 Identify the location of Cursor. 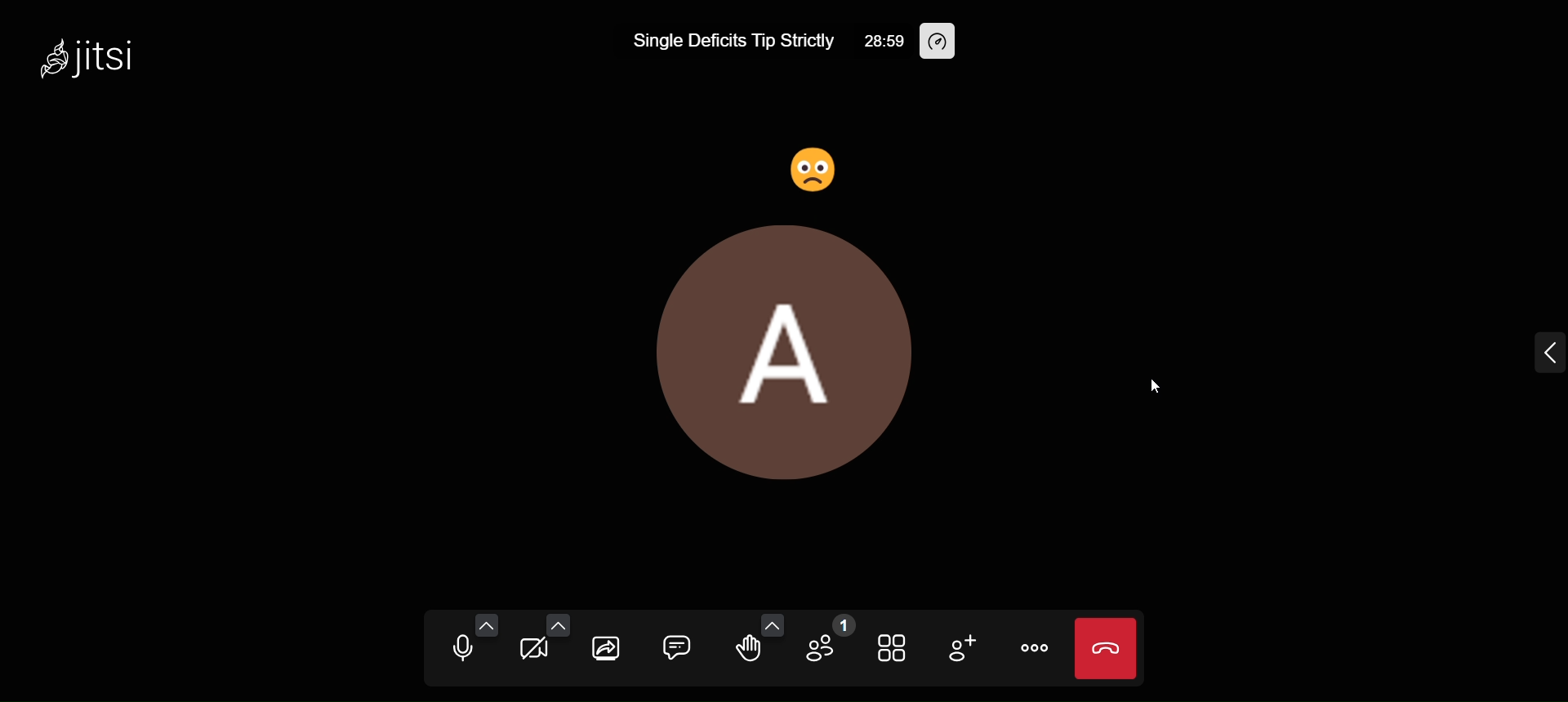
(1153, 386).